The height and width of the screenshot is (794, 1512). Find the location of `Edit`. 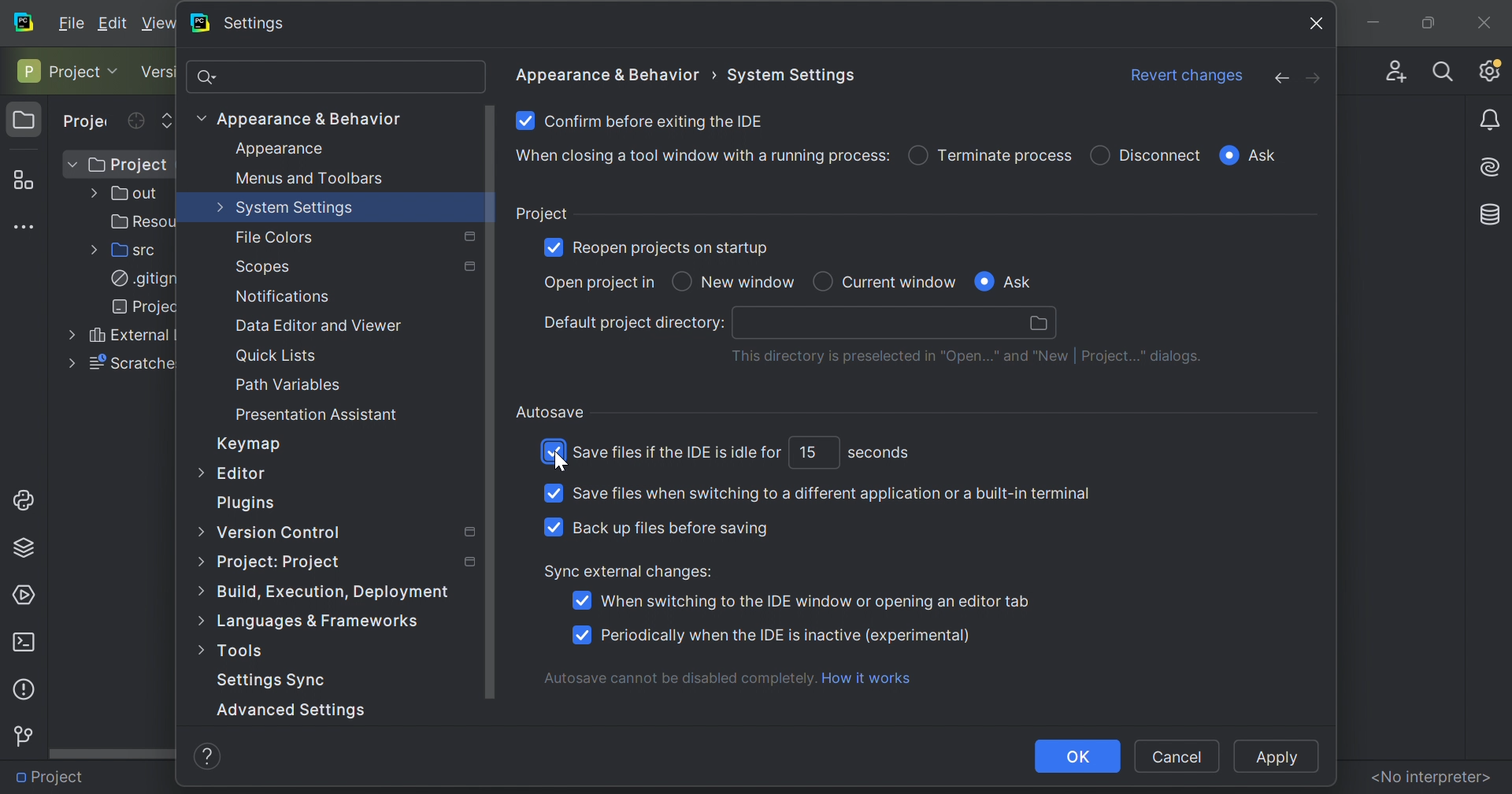

Edit is located at coordinates (116, 23).